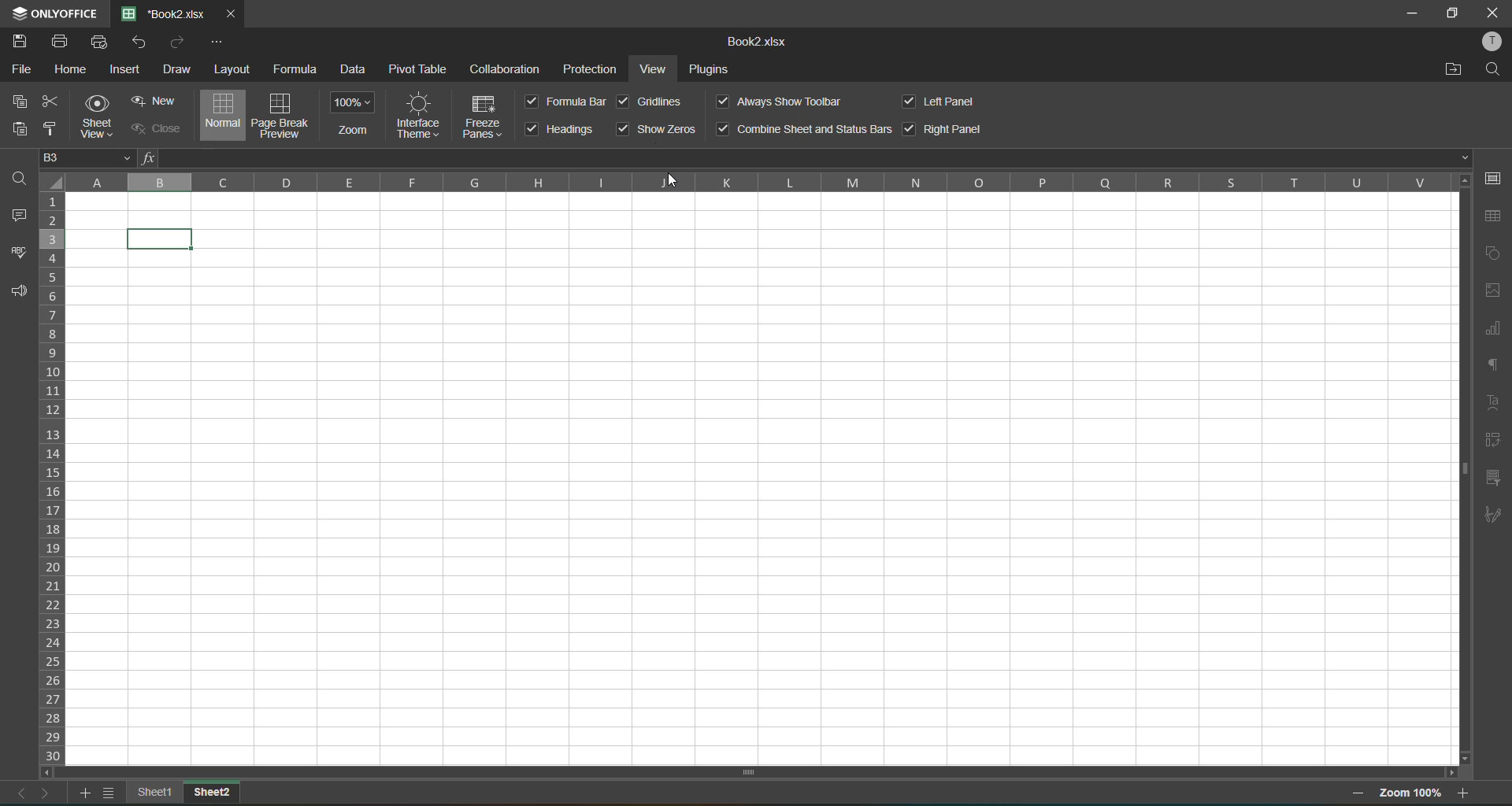 The image size is (1512, 806). Describe the element at coordinates (1492, 292) in the screenshot. I see `images` at that location.